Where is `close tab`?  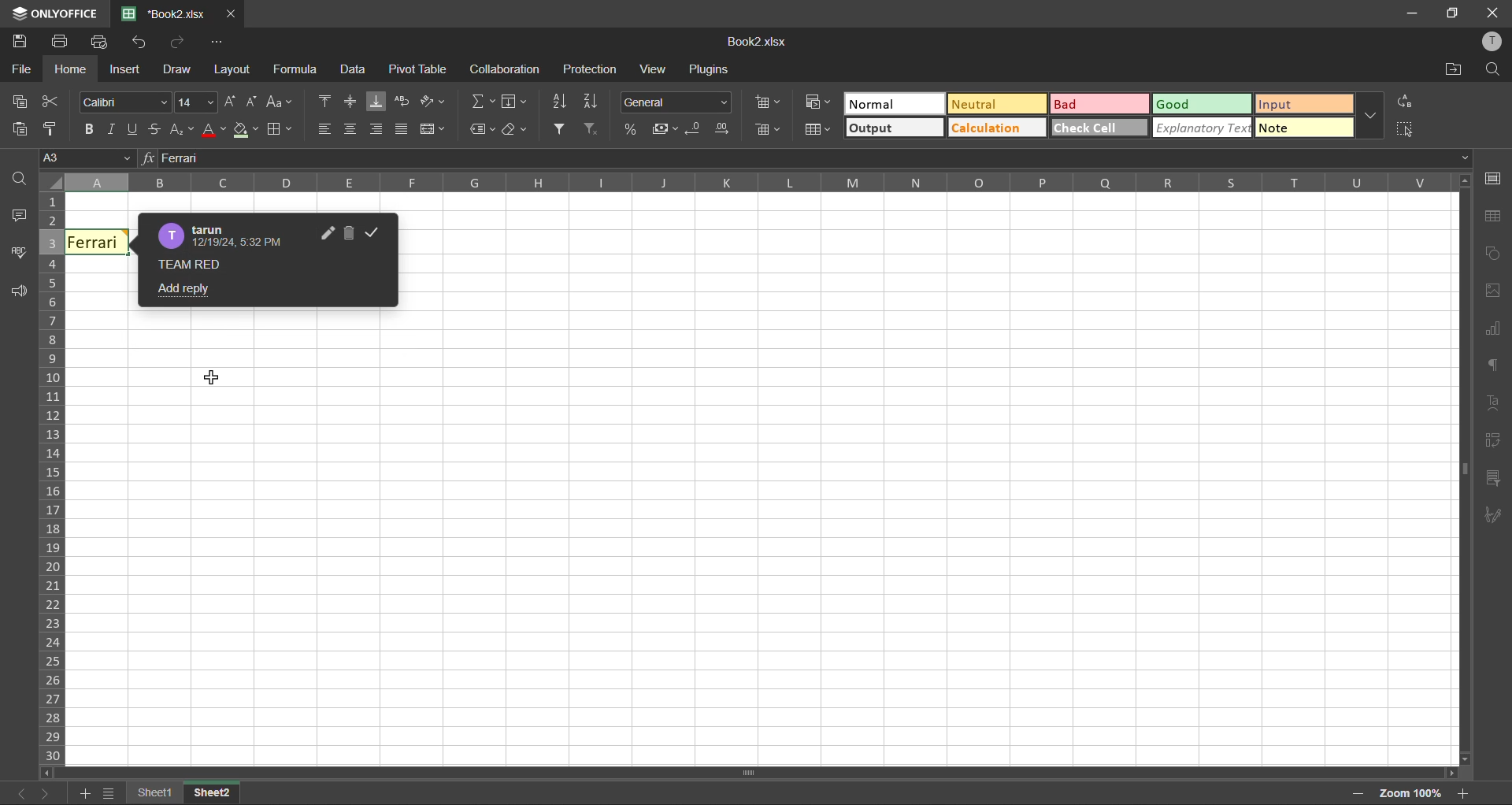 close tab is located at coordinates (229, 12).